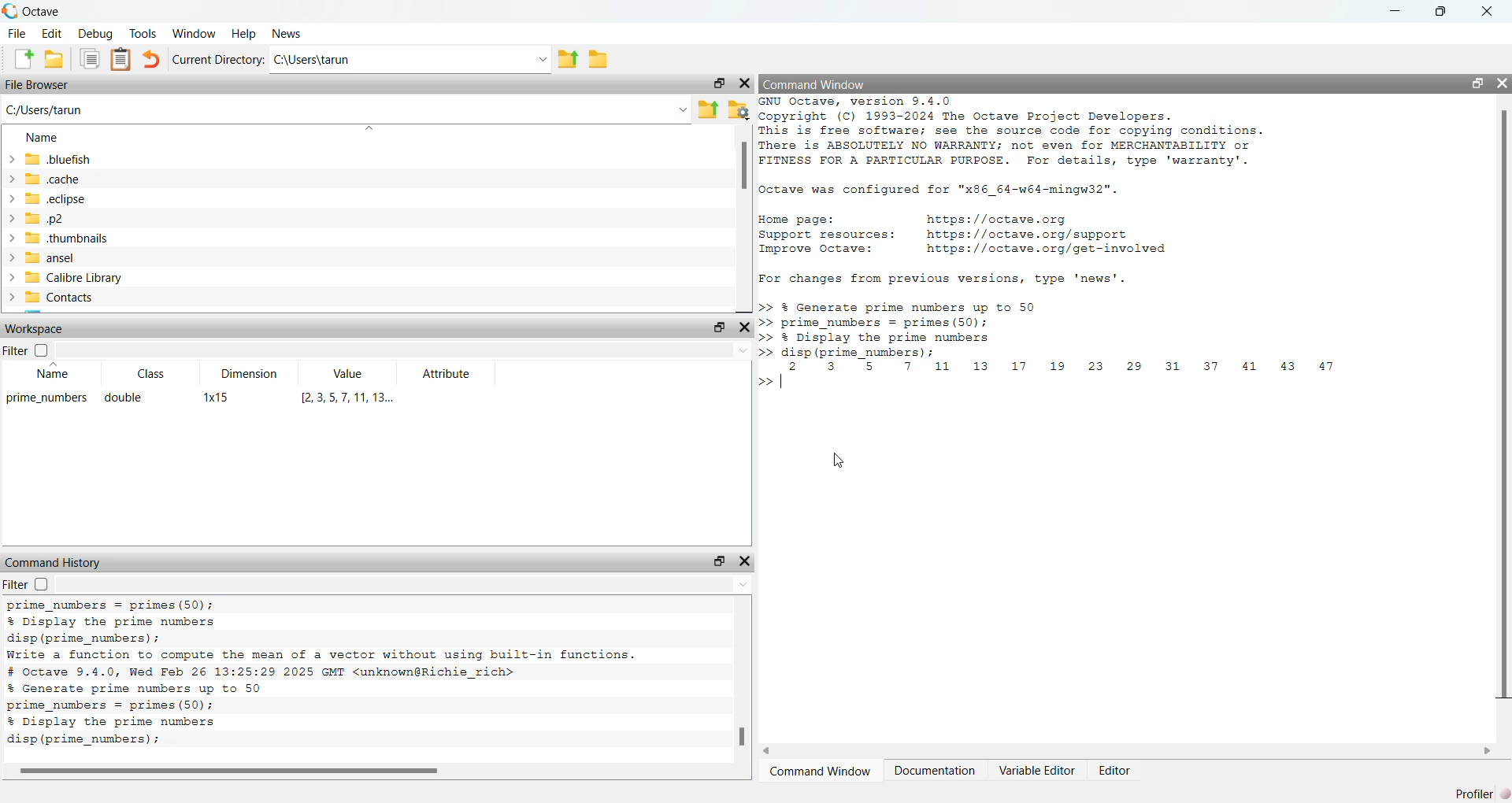 This screenshot has width=1512, height=803. What do you see at coordinates (153, 60) in the screenshot?
I see `undo` at bounding box center [153, 60].